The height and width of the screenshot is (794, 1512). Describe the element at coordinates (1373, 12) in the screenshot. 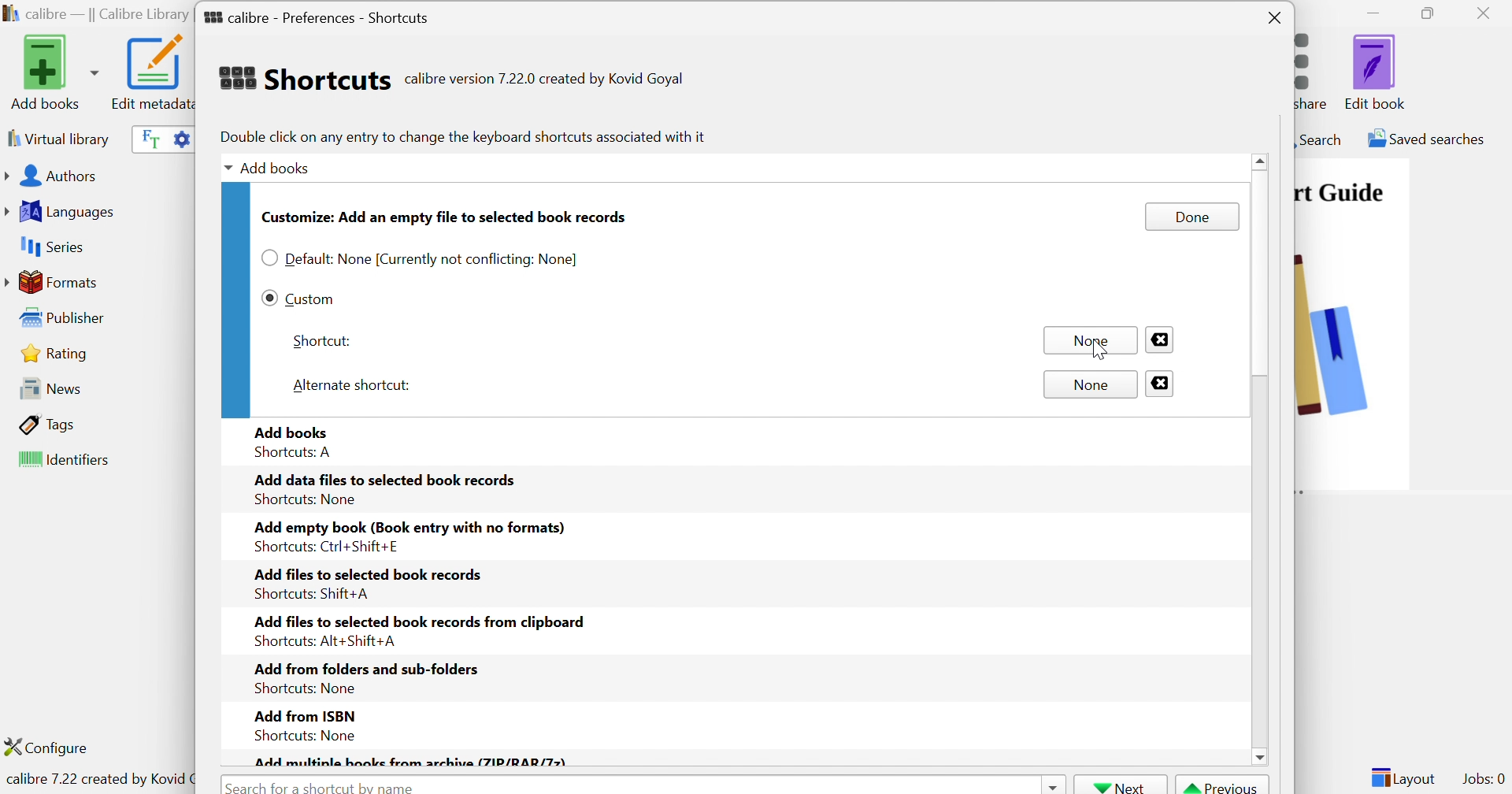

I see `Minimize` at that location.